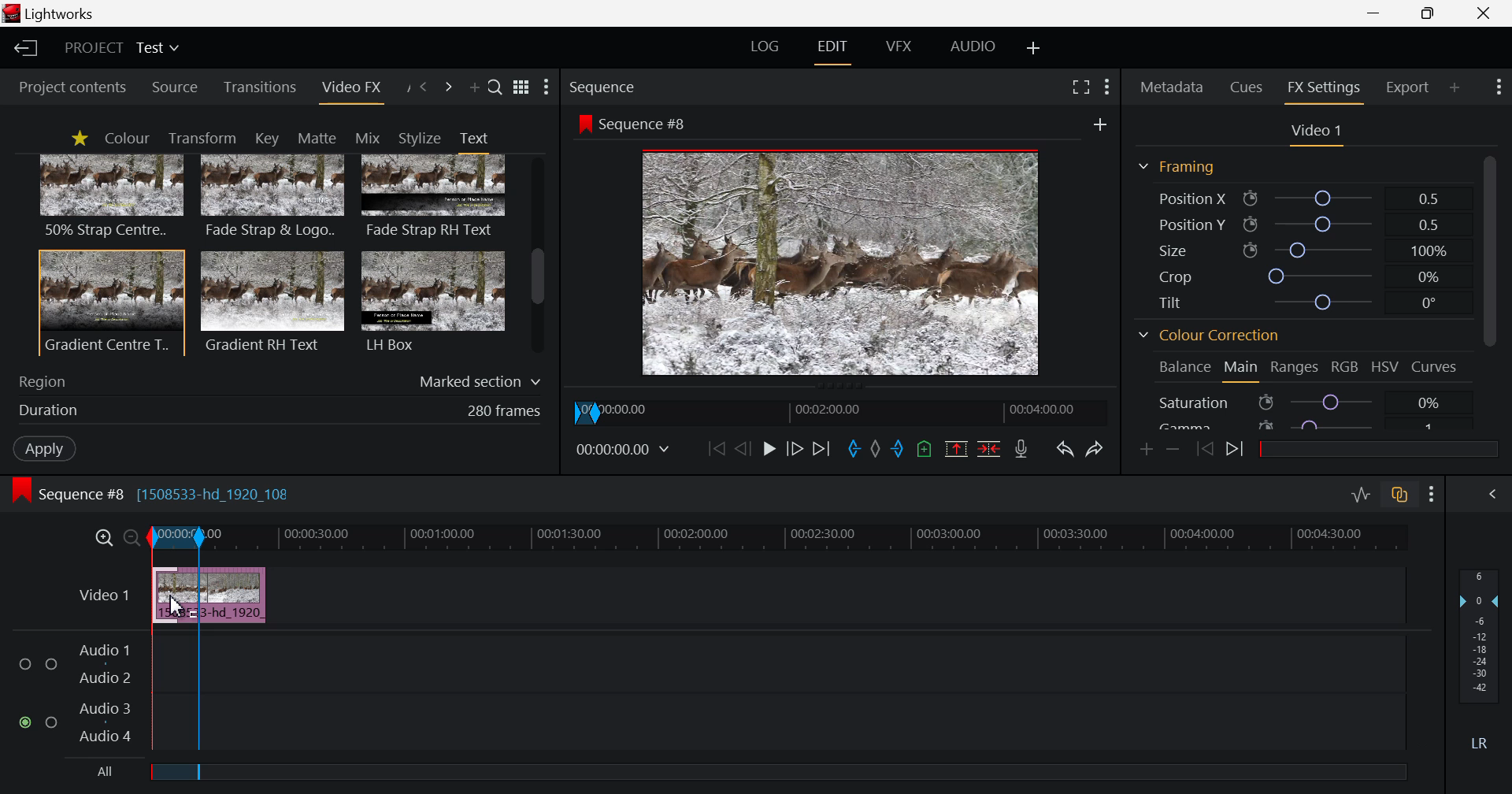 Image resolution: width=1512 pixels, height=794 pixels. Describe the element at coordinates (1242, 369) in the screenshot. I see `Main Tab Open` at that location.